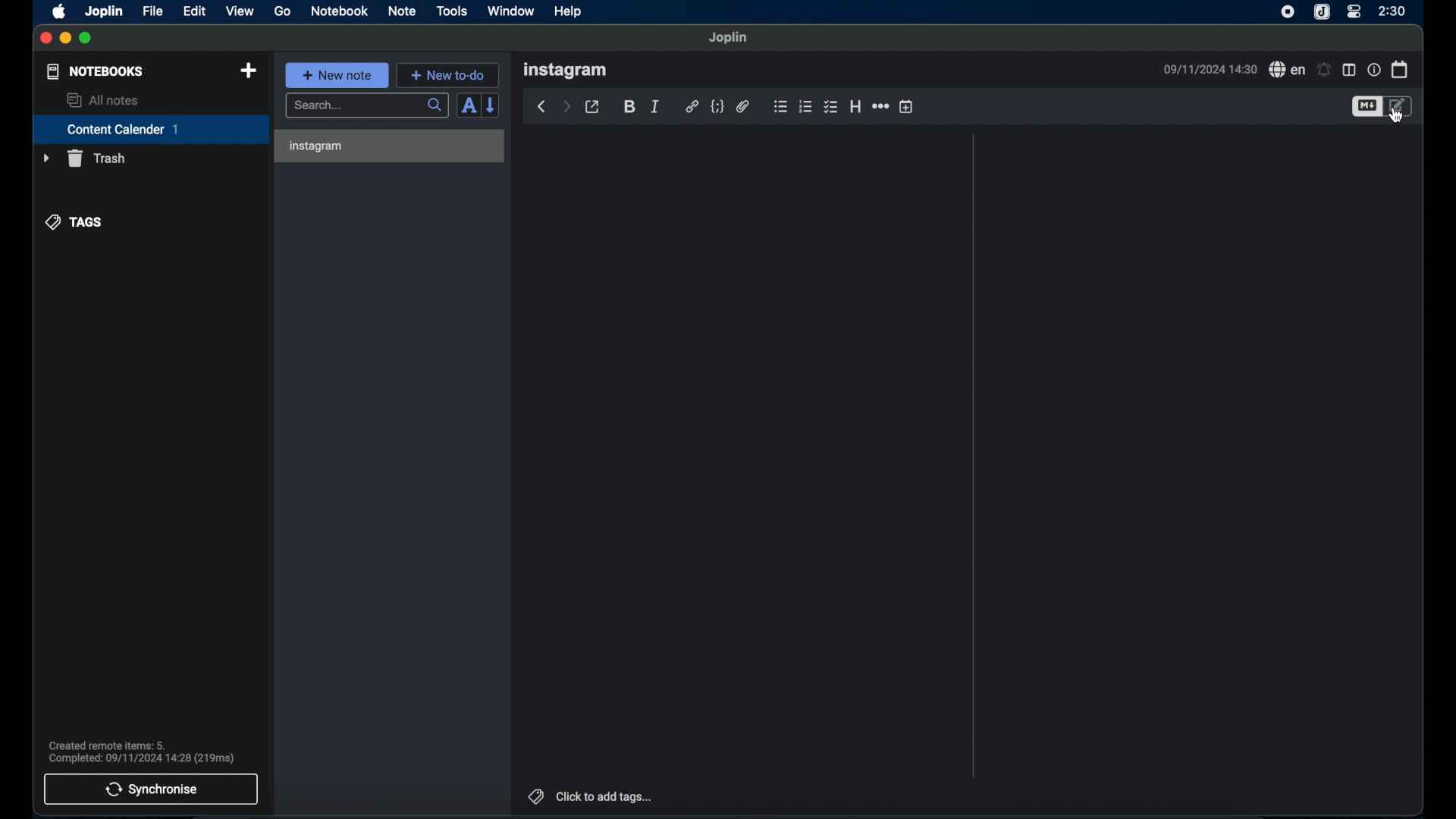  Describe the element at coordinates (338, 11) in the screenshot. I see `notebook` at that location.